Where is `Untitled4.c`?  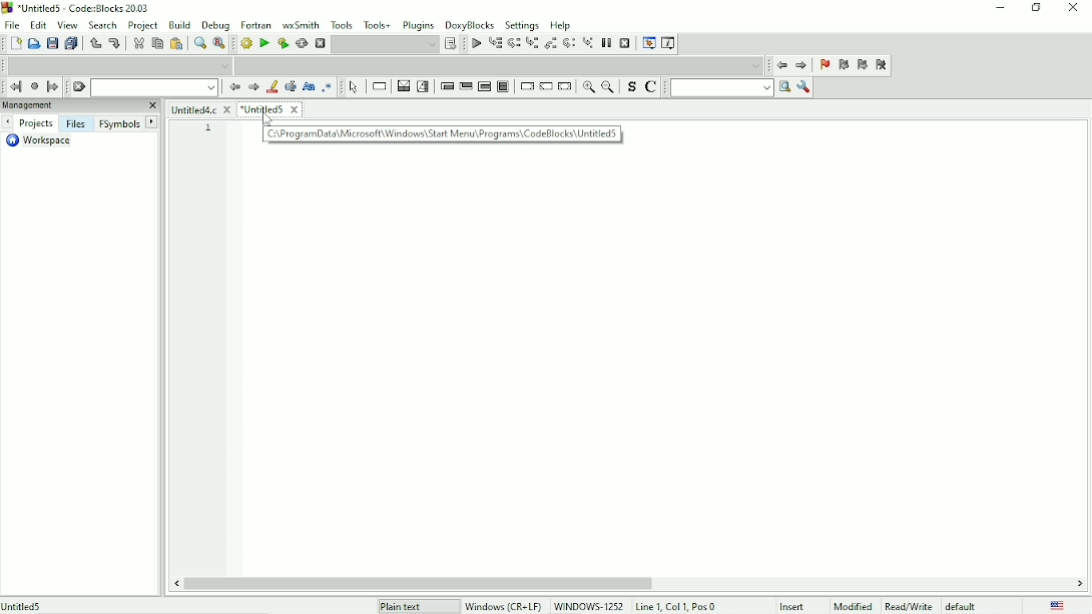
Untitled4.c is located at coordinates (201, 109).